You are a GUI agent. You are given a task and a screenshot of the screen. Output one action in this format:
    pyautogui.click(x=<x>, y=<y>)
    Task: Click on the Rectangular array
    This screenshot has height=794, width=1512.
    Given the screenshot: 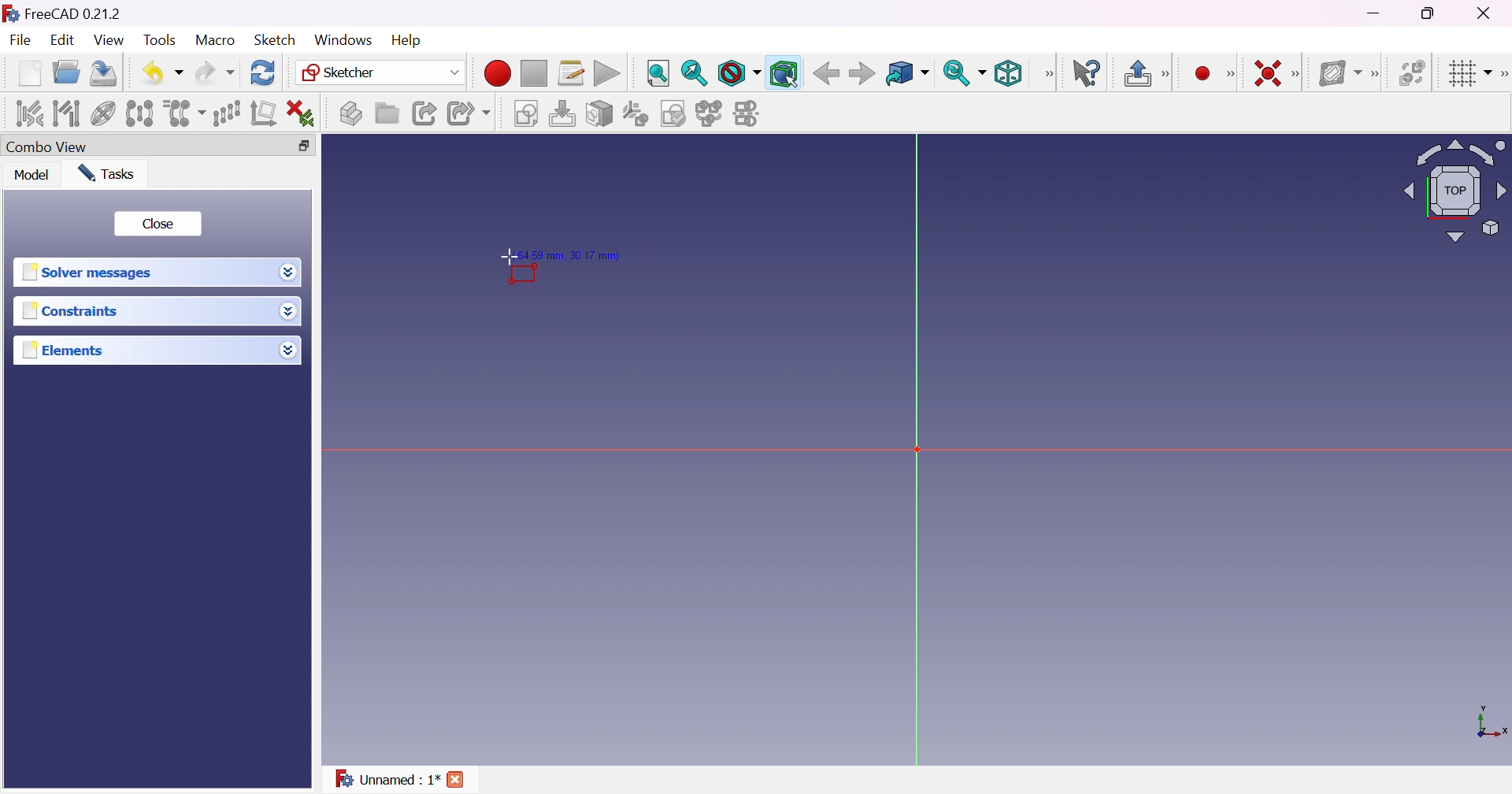 What is the action you would take?
    pyautogui.click(x=226, y=114)
    